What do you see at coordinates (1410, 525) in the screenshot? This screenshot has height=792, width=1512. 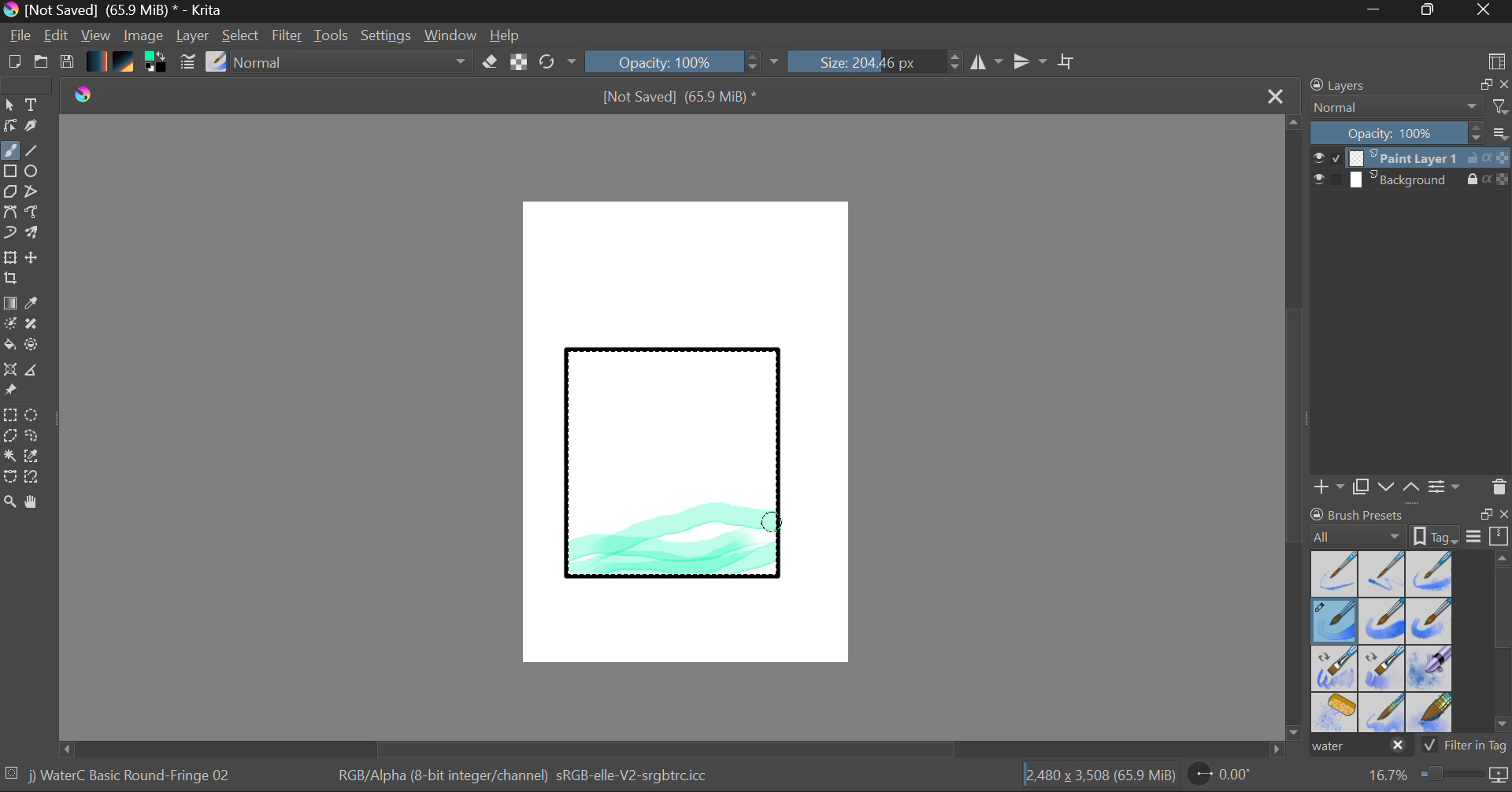 I see `Brush presets docket` at bounding box center [1410, 525].